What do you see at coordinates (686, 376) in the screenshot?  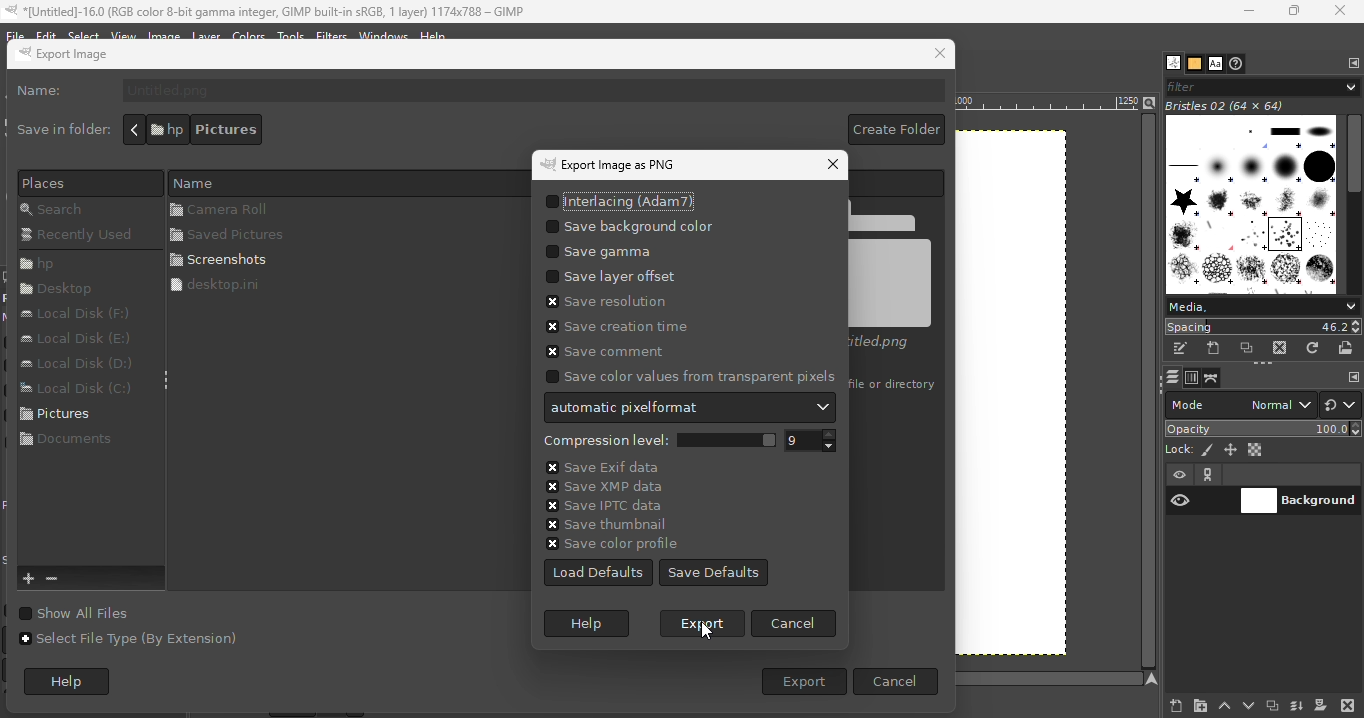 I see `Save color values from transparent pixels` at bounding box center [686, 376].